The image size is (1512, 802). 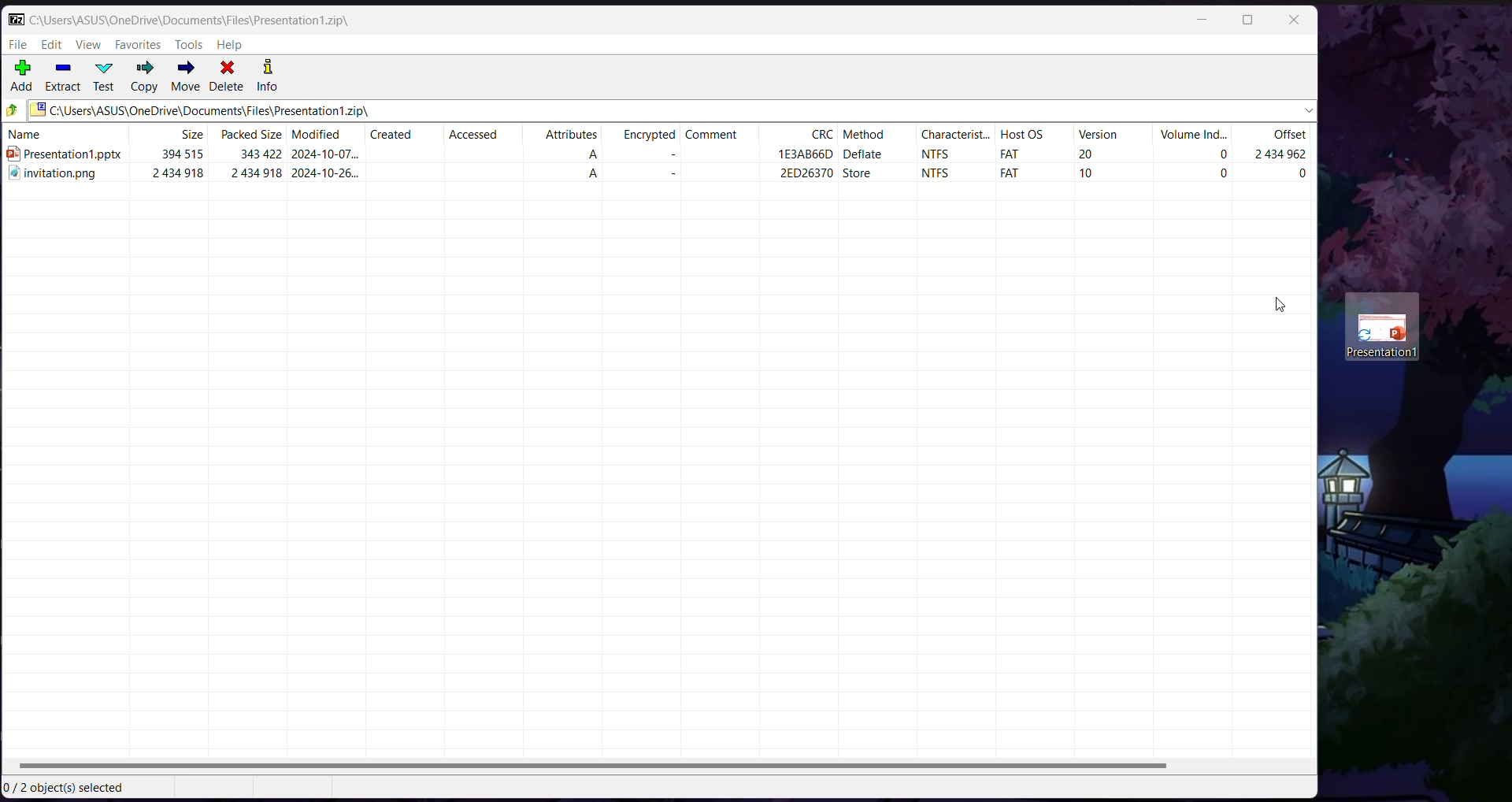 I want to click on a, so click(x=602, y=156).